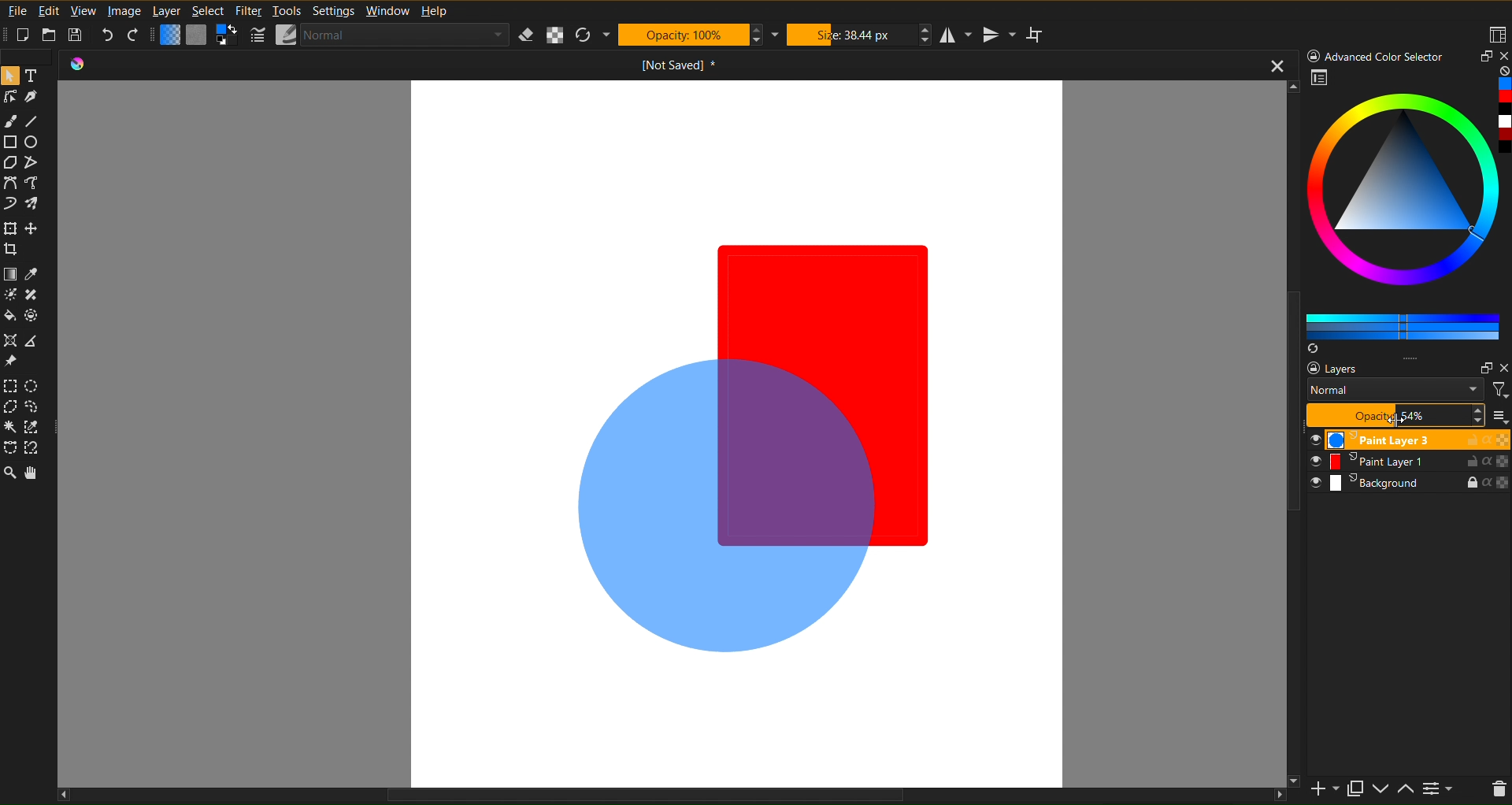 This screenshot has height=805, width=1512. I want to click on Selection Tool, so click(35, 387).